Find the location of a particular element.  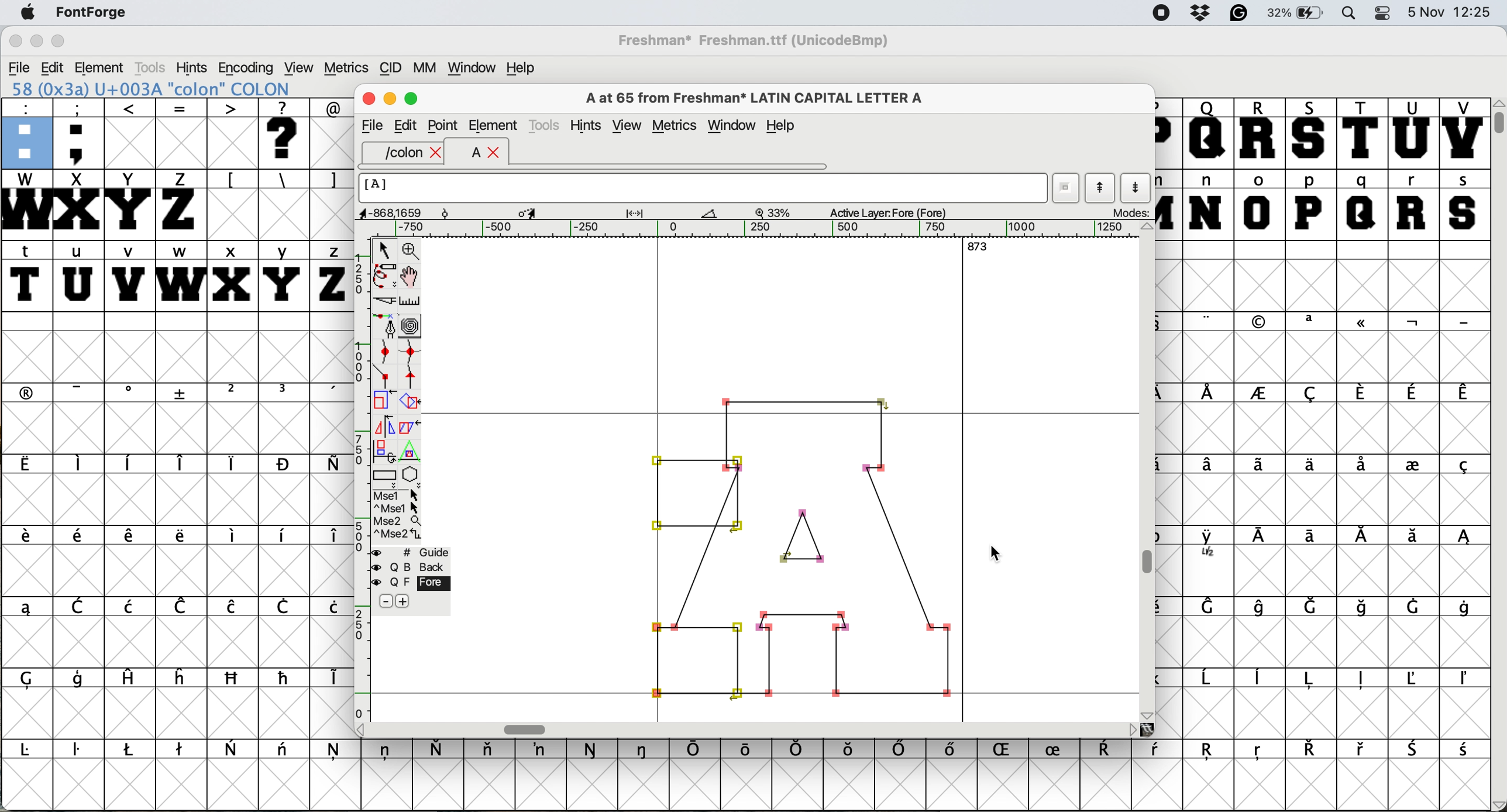

file is located at coordinates (371, 124).